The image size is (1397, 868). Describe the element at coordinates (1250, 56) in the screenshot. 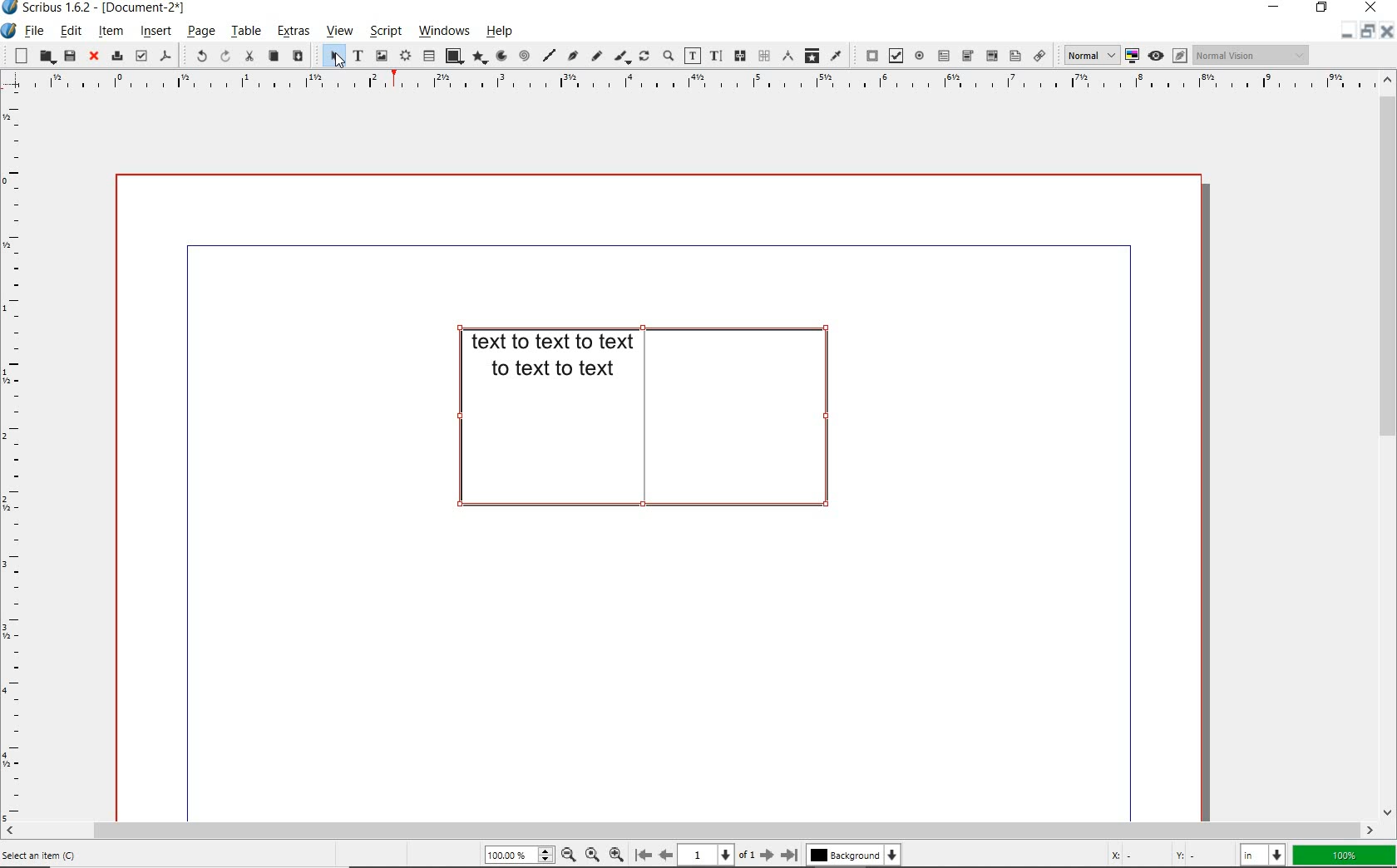

I see `Normal Vision` at that location.